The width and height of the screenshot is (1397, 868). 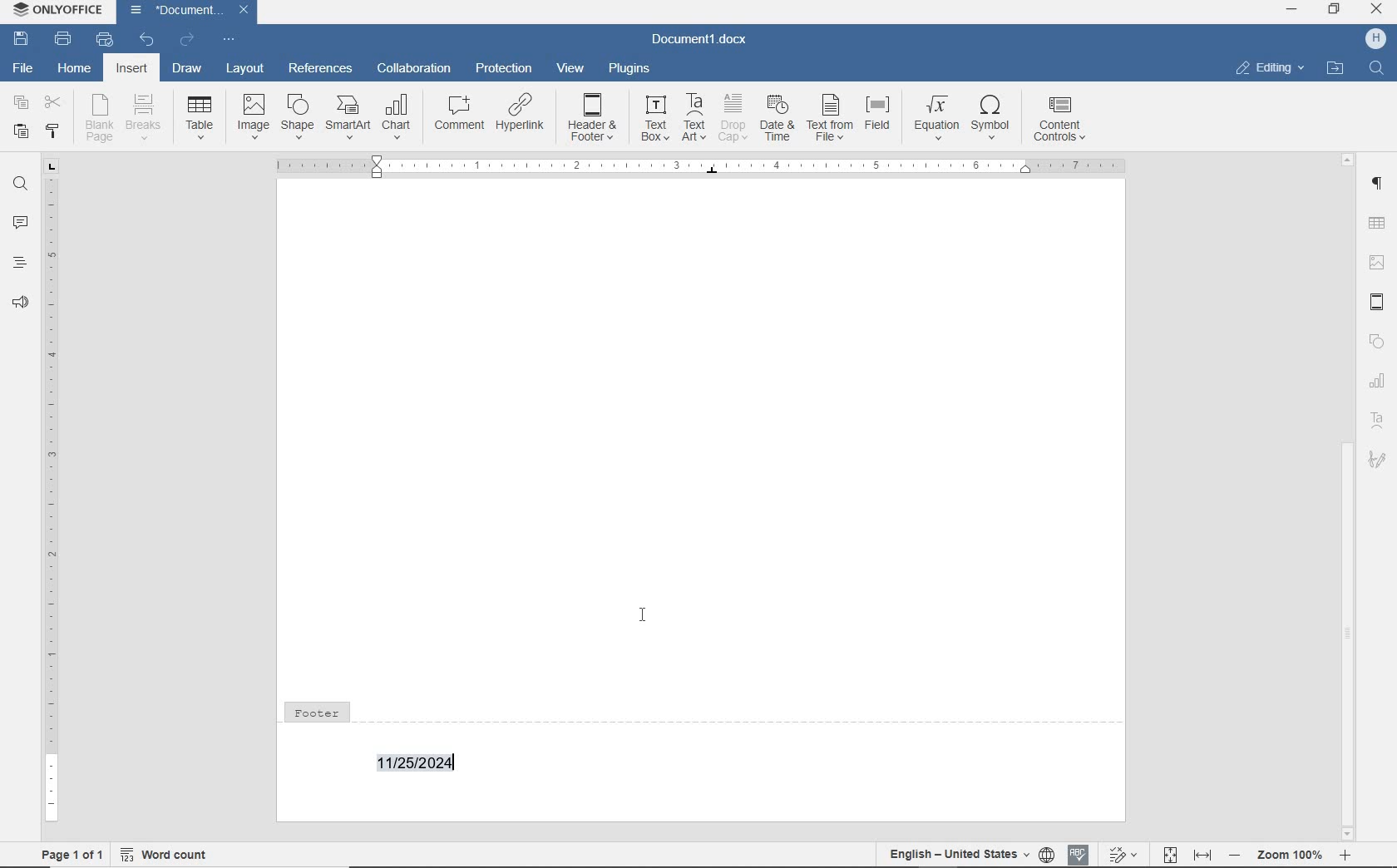 I want to click on COPY STYLE, so click(x=52, y=132).